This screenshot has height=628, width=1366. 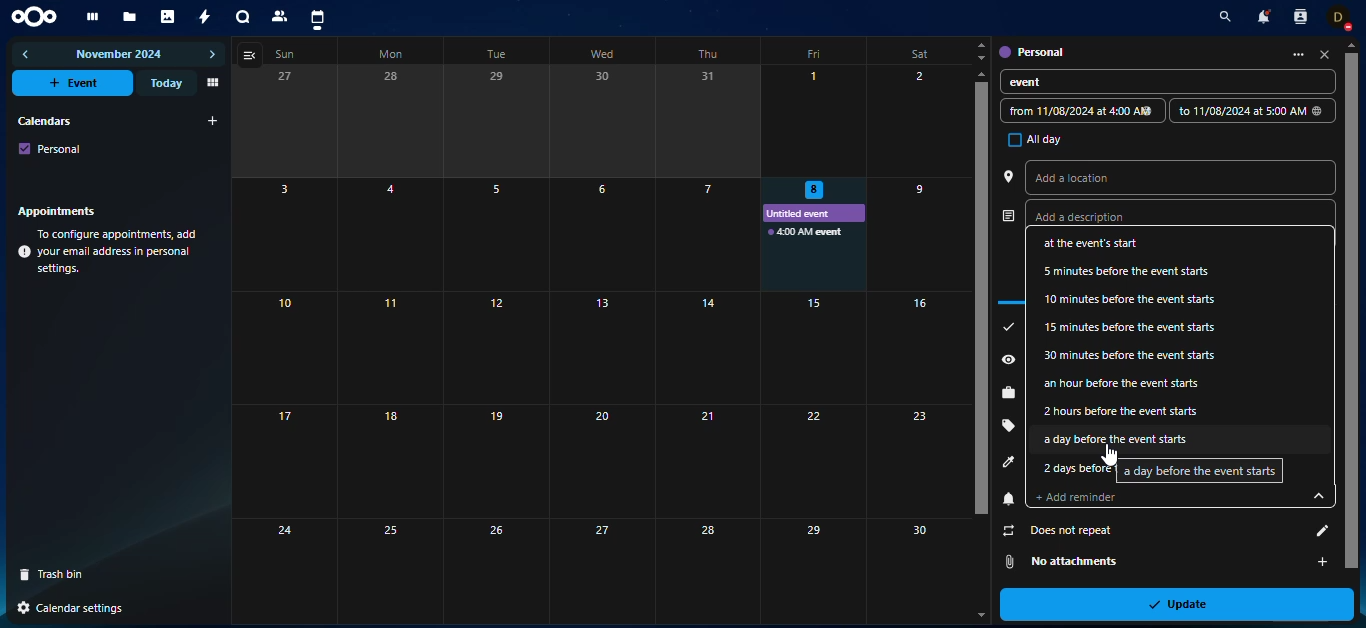 What do you see at coordinates (1105, 243) in the screenshot?
I see `at the event's start` at bounding box center [1105, 243].